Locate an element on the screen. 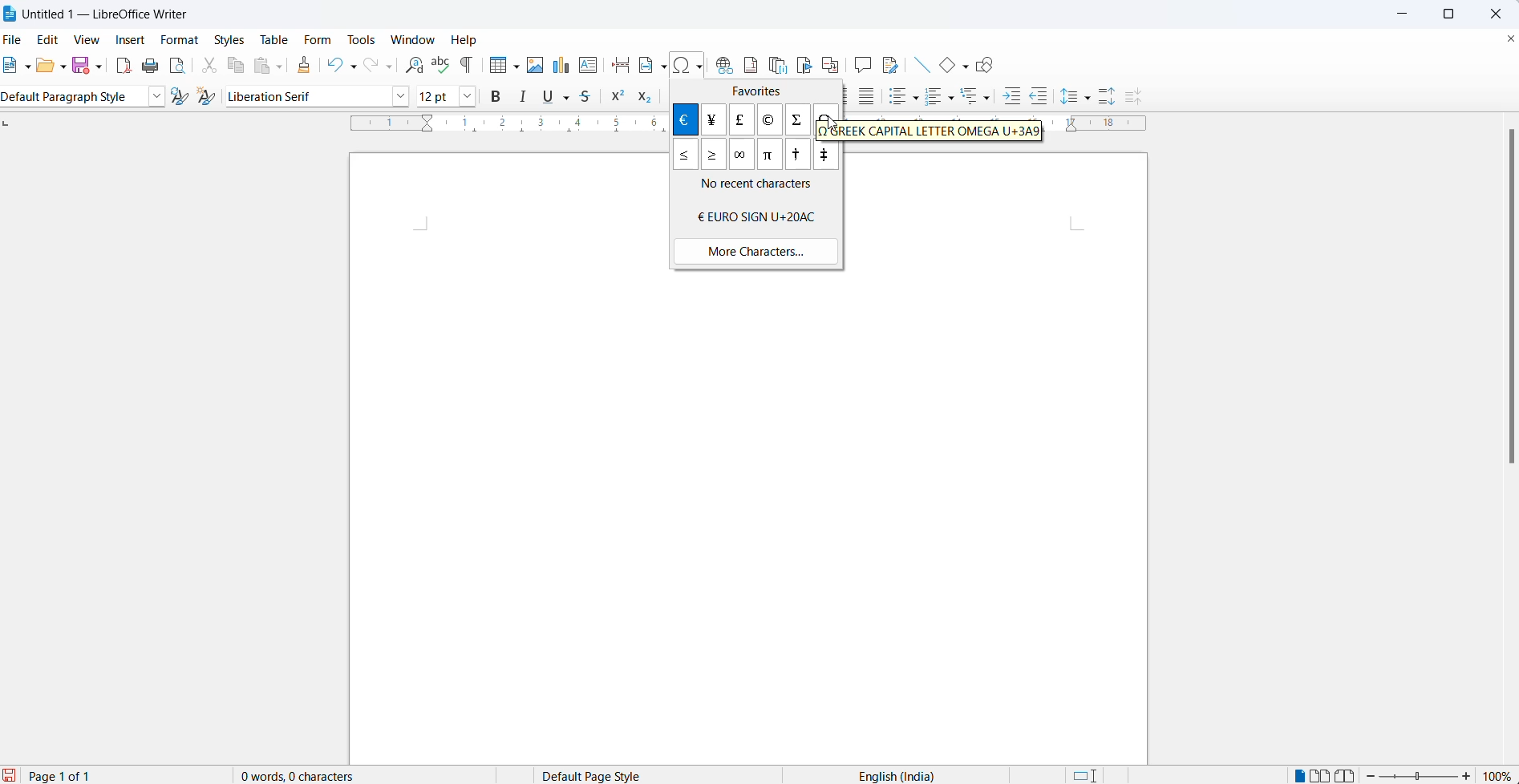  basic shapes options is located at coordinates (967, 66).